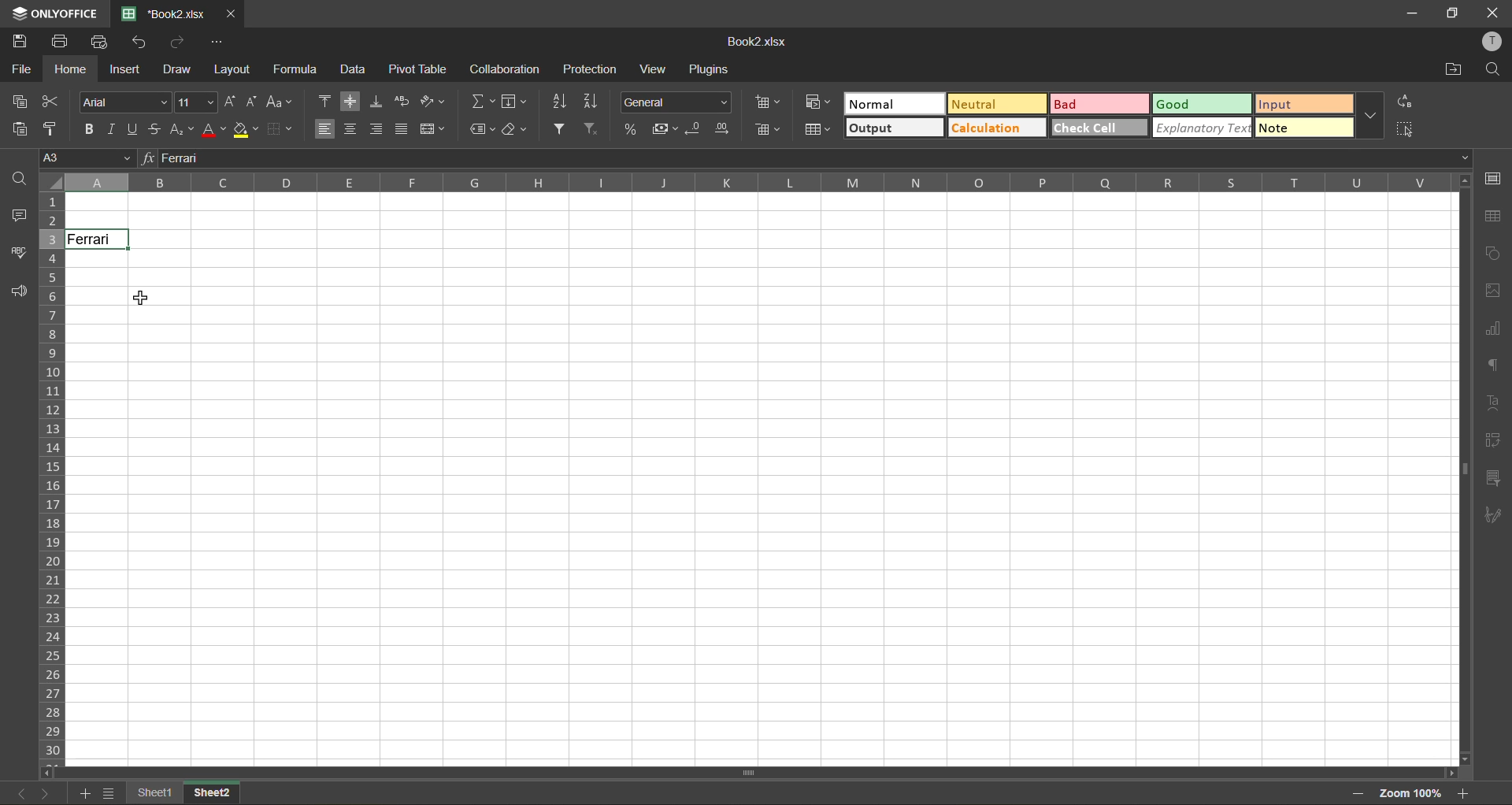 This screenshot has height=805, width=1512. I want to click on copy style, so click(52, 130).